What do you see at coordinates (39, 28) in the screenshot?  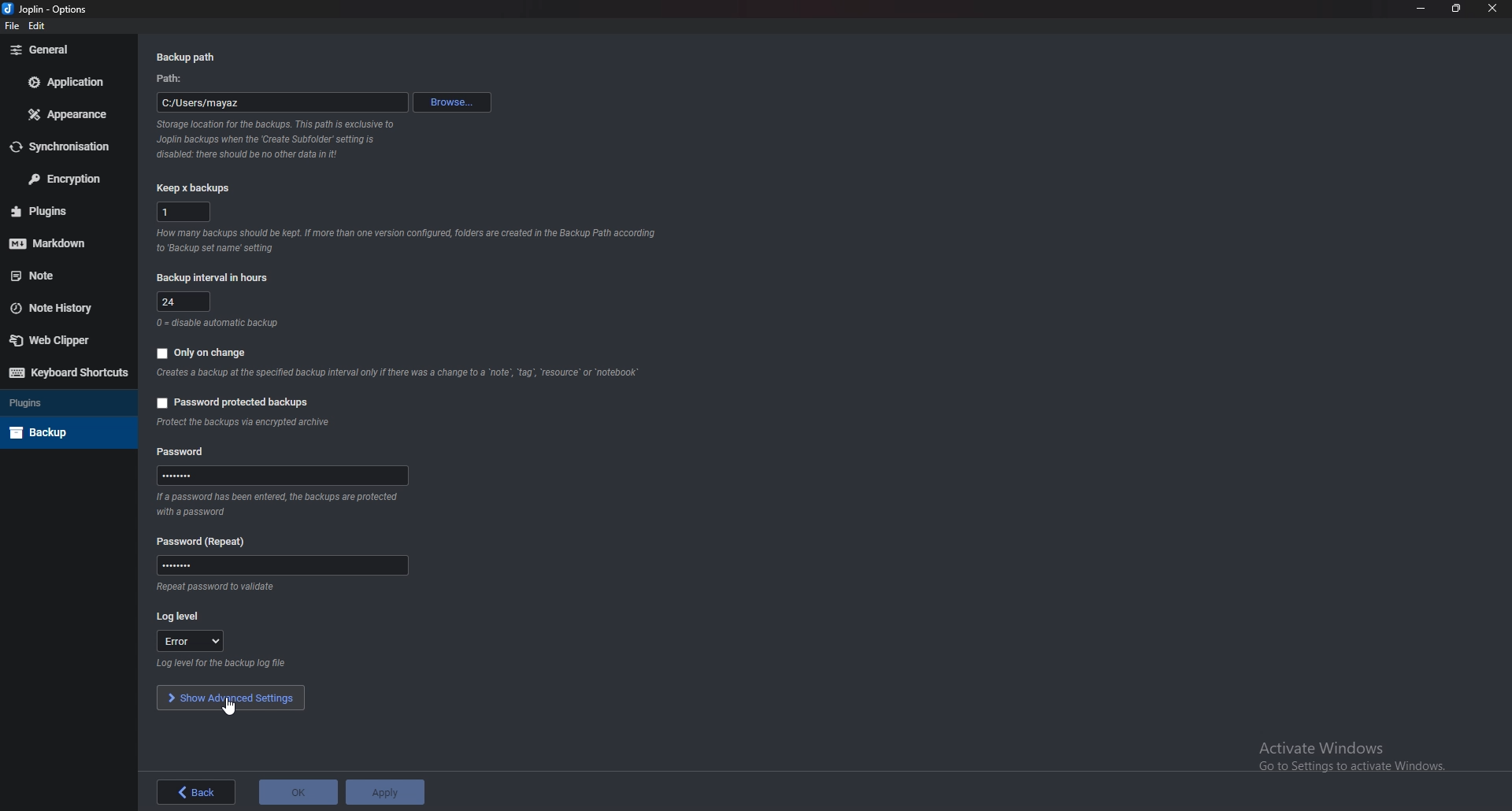 I see `edit` at bounding box center [39, 28].